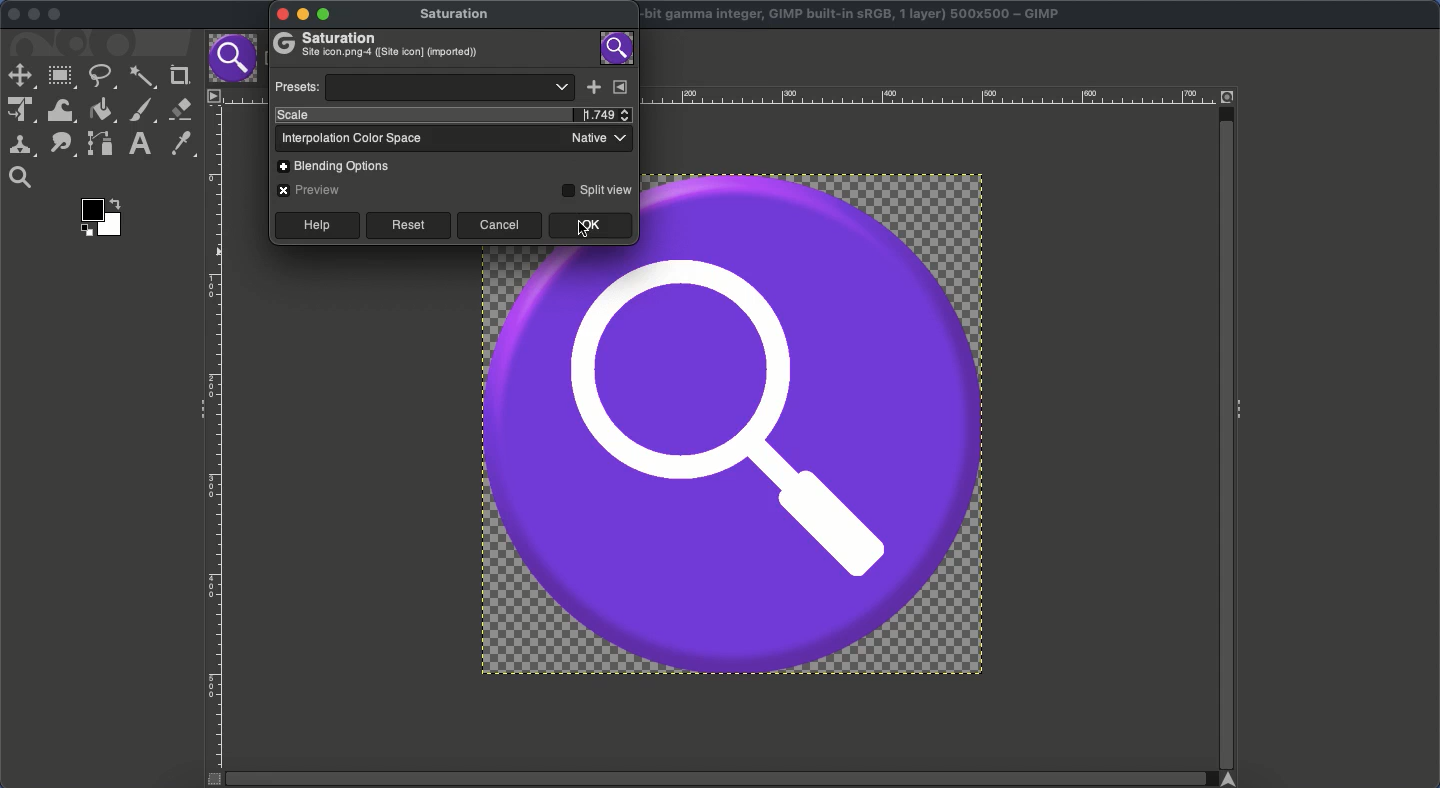  Describe the element at coordinates (327, 15) in the screenshot. I see `maximize` at that location.